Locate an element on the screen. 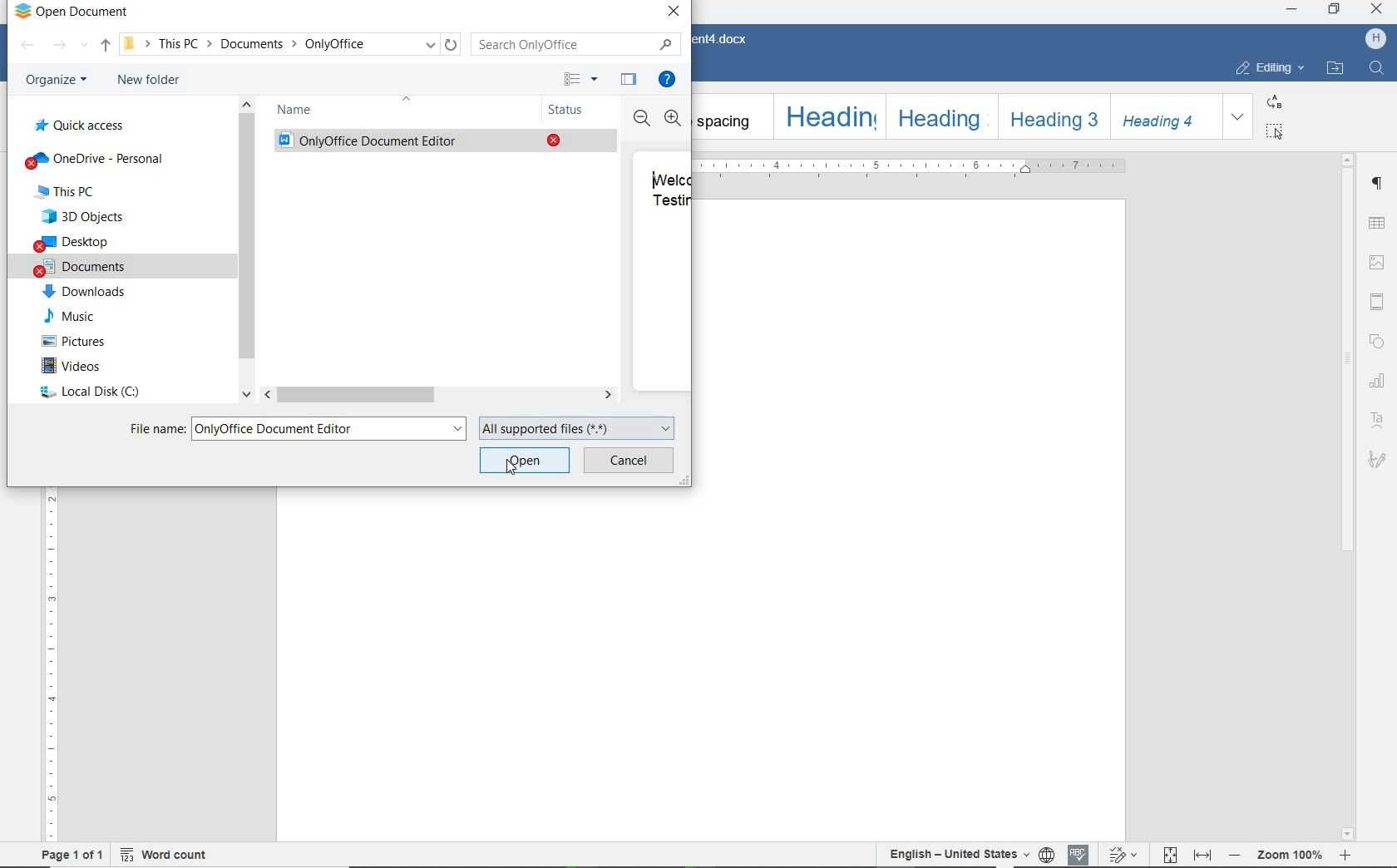  forward is located at coordinates (59, 45).